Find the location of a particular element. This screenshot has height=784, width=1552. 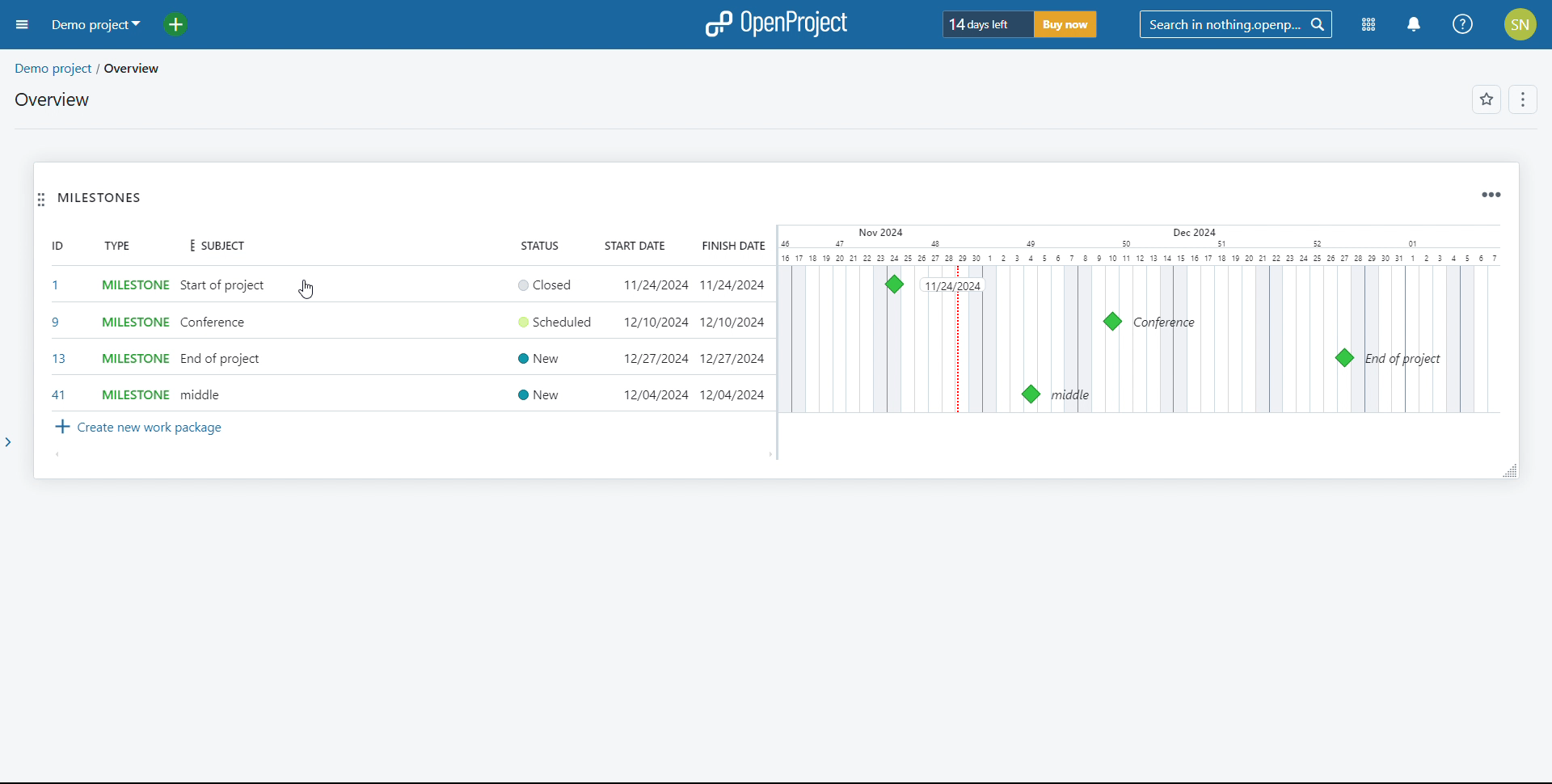

MILESTONE is located at coordinates (127, 390).